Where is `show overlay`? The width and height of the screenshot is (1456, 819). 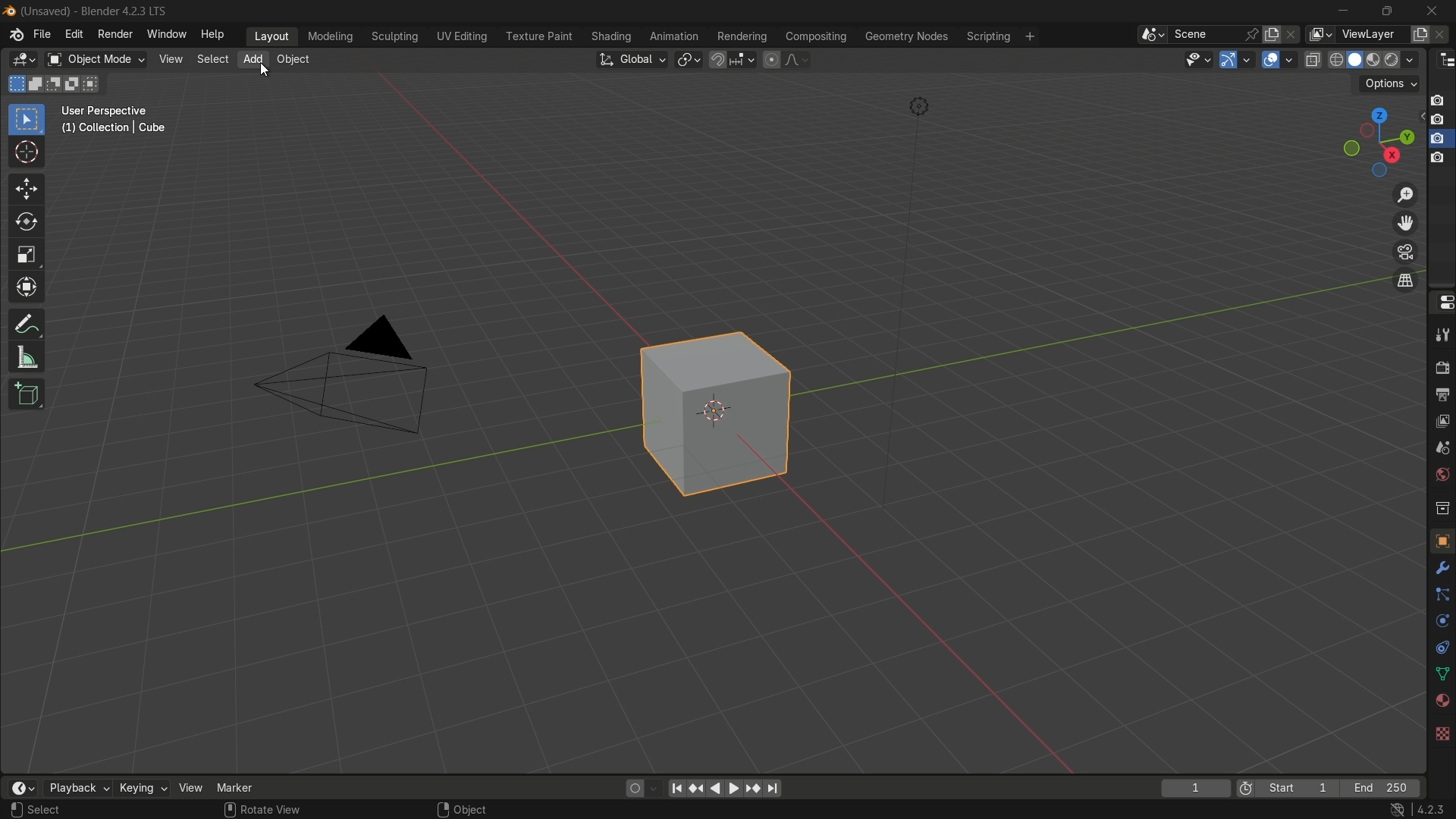 show overlay is located at coordinates (1270, 60).